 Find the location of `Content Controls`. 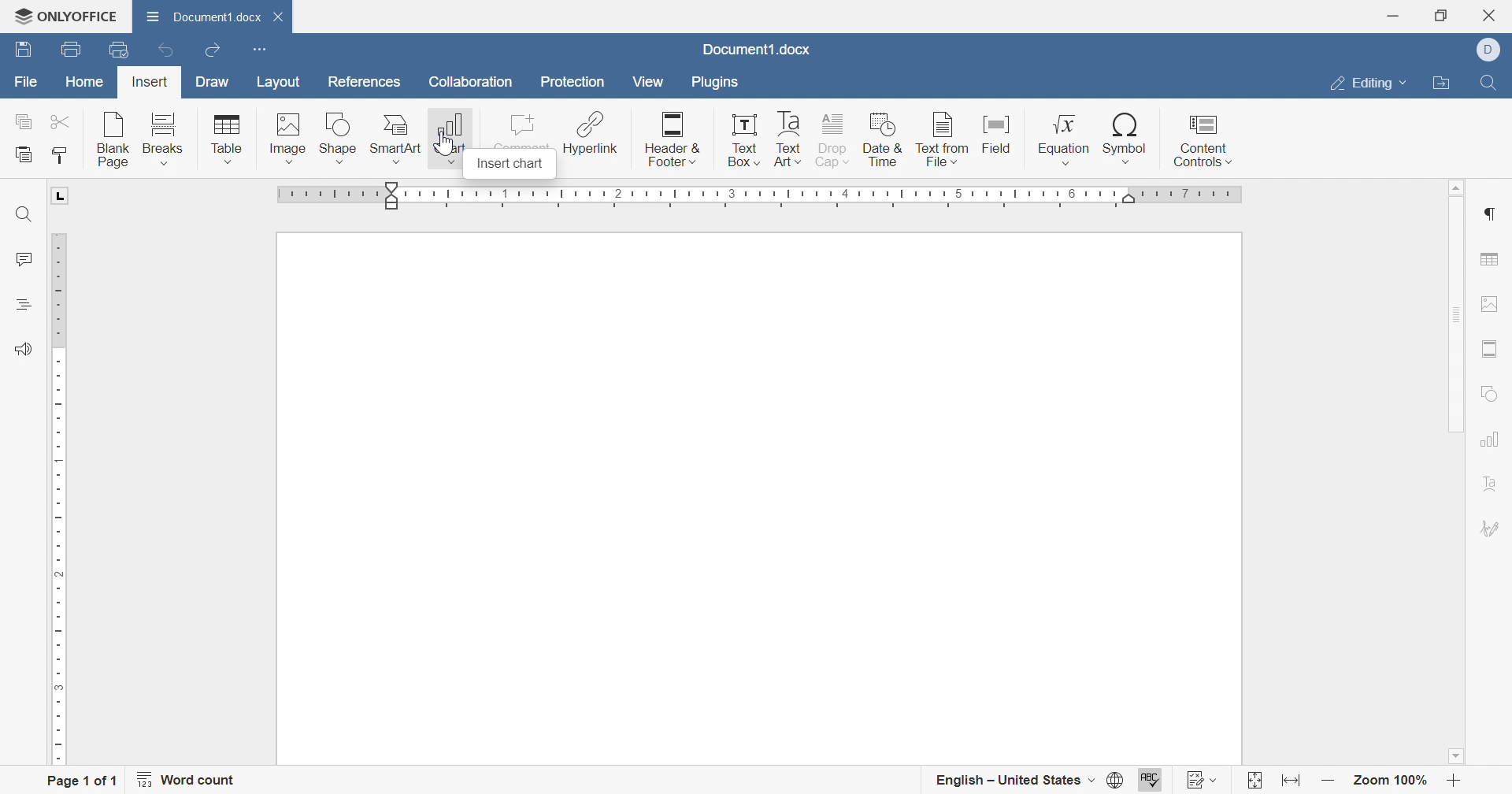

Content Controls is located at coordinates (1203, 140).